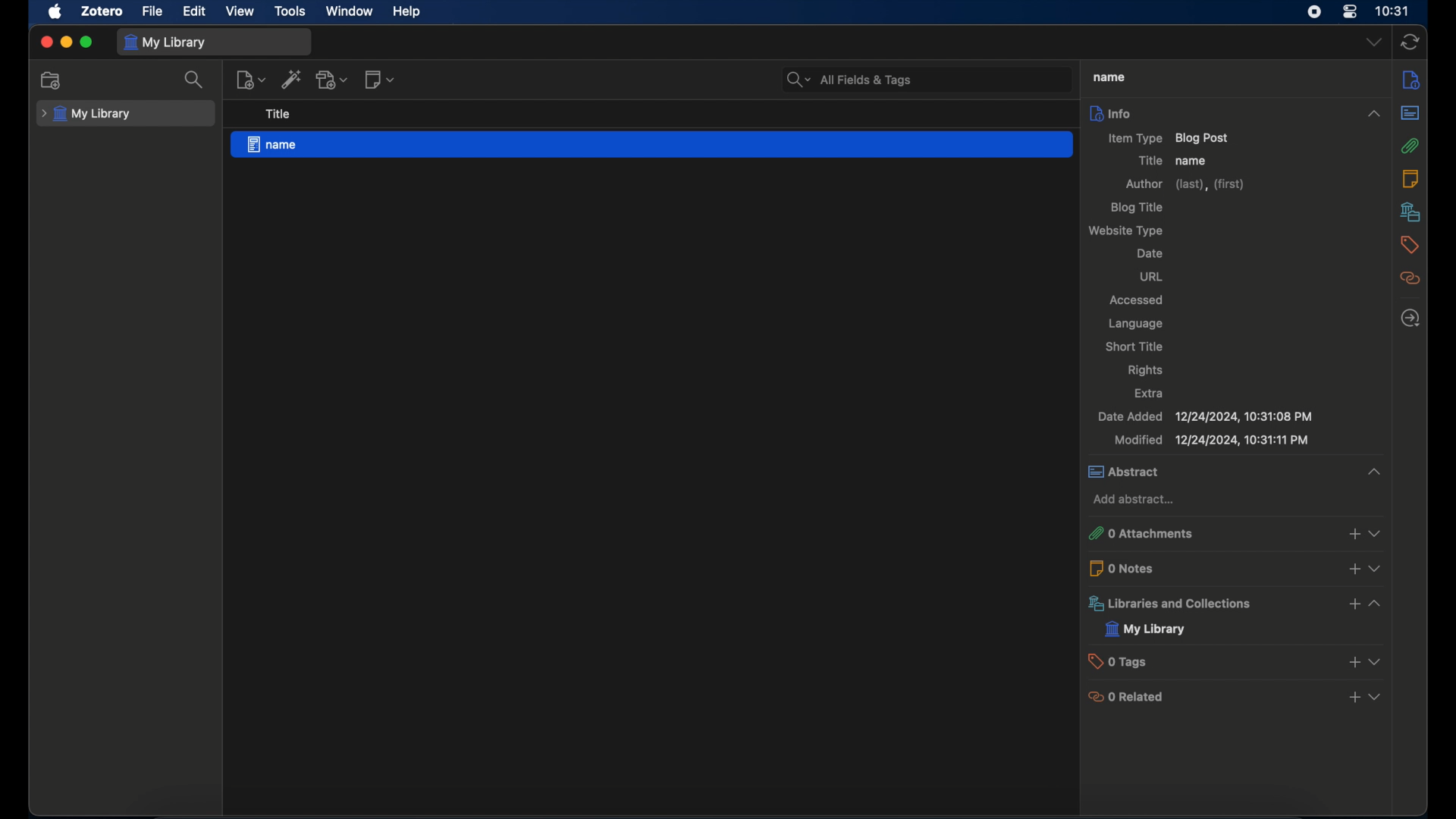 Image resolution: width=1456 pixels, height=819 pixels. I want to click on rights, so click(1145, 371).